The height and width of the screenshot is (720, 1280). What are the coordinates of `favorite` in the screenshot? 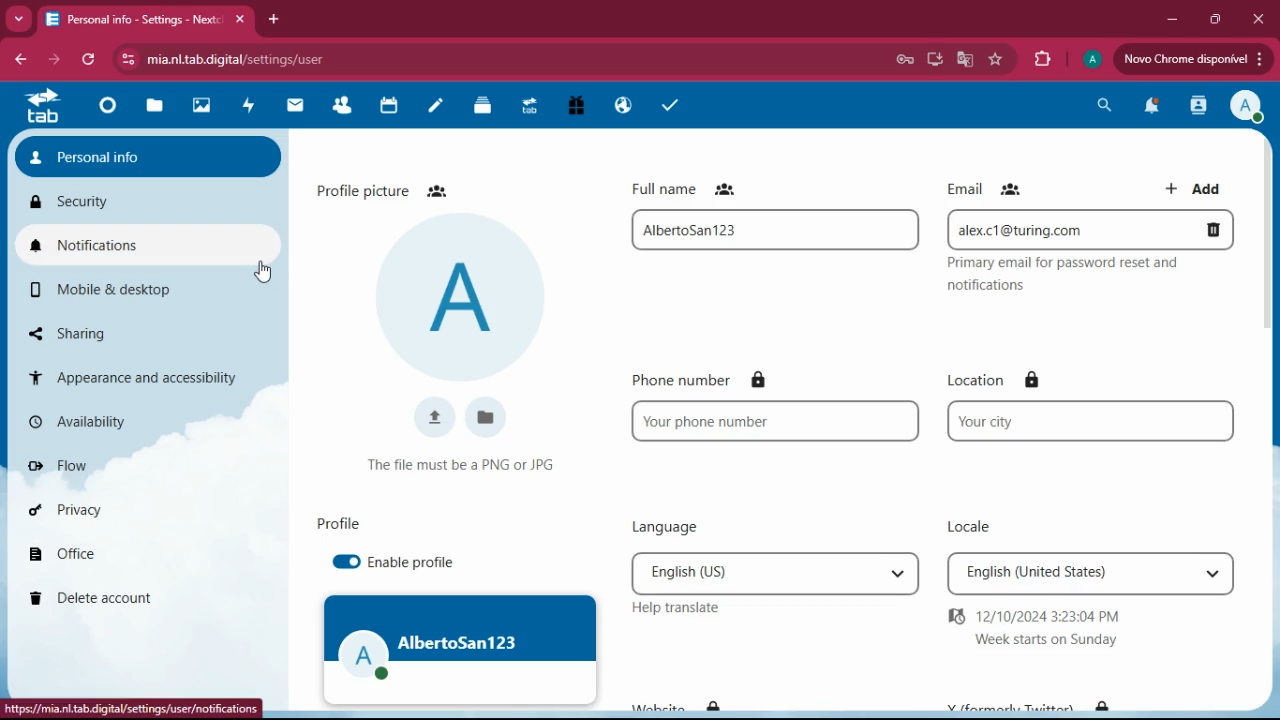 It's located at (996, 61).